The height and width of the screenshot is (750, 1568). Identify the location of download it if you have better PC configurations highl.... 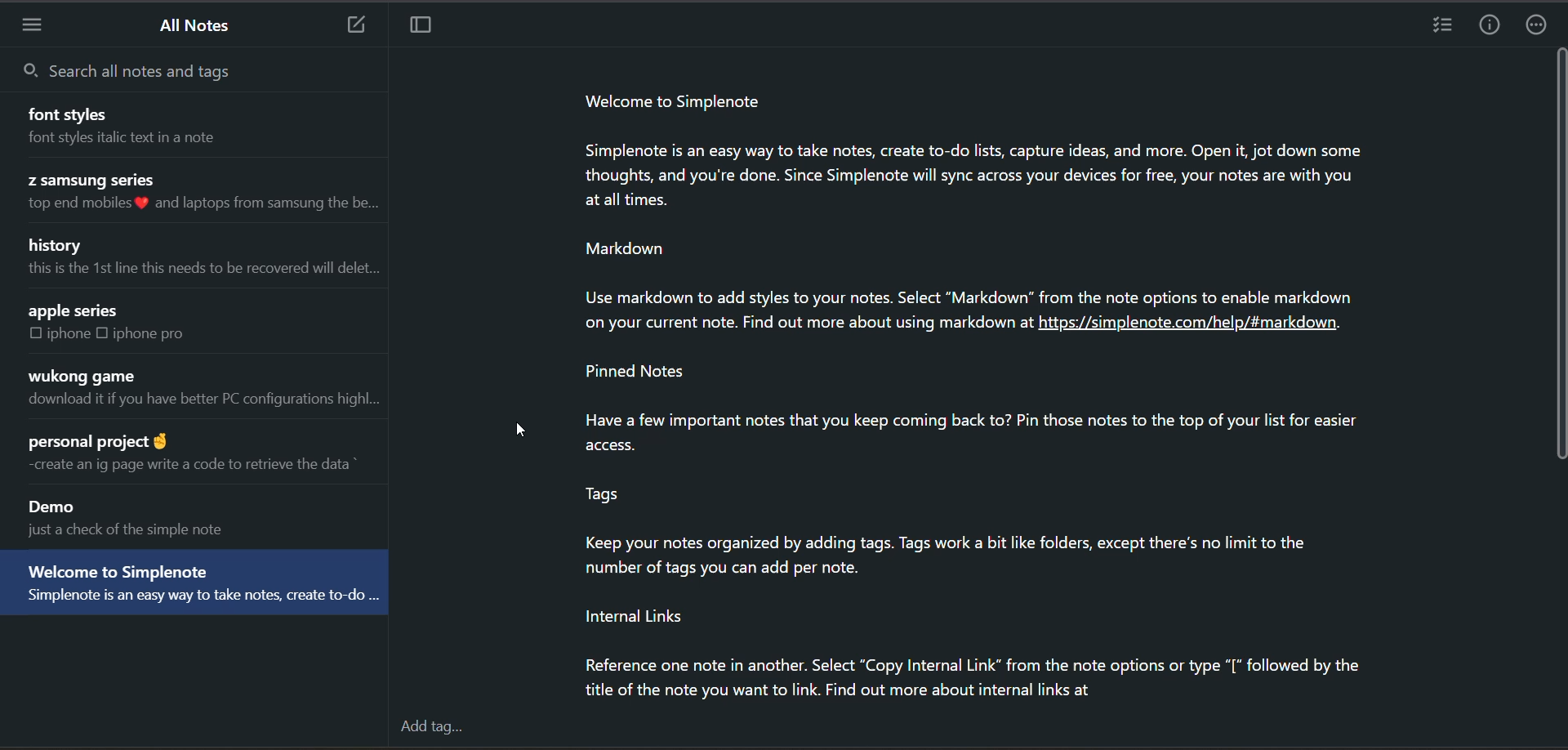
(203, 406).